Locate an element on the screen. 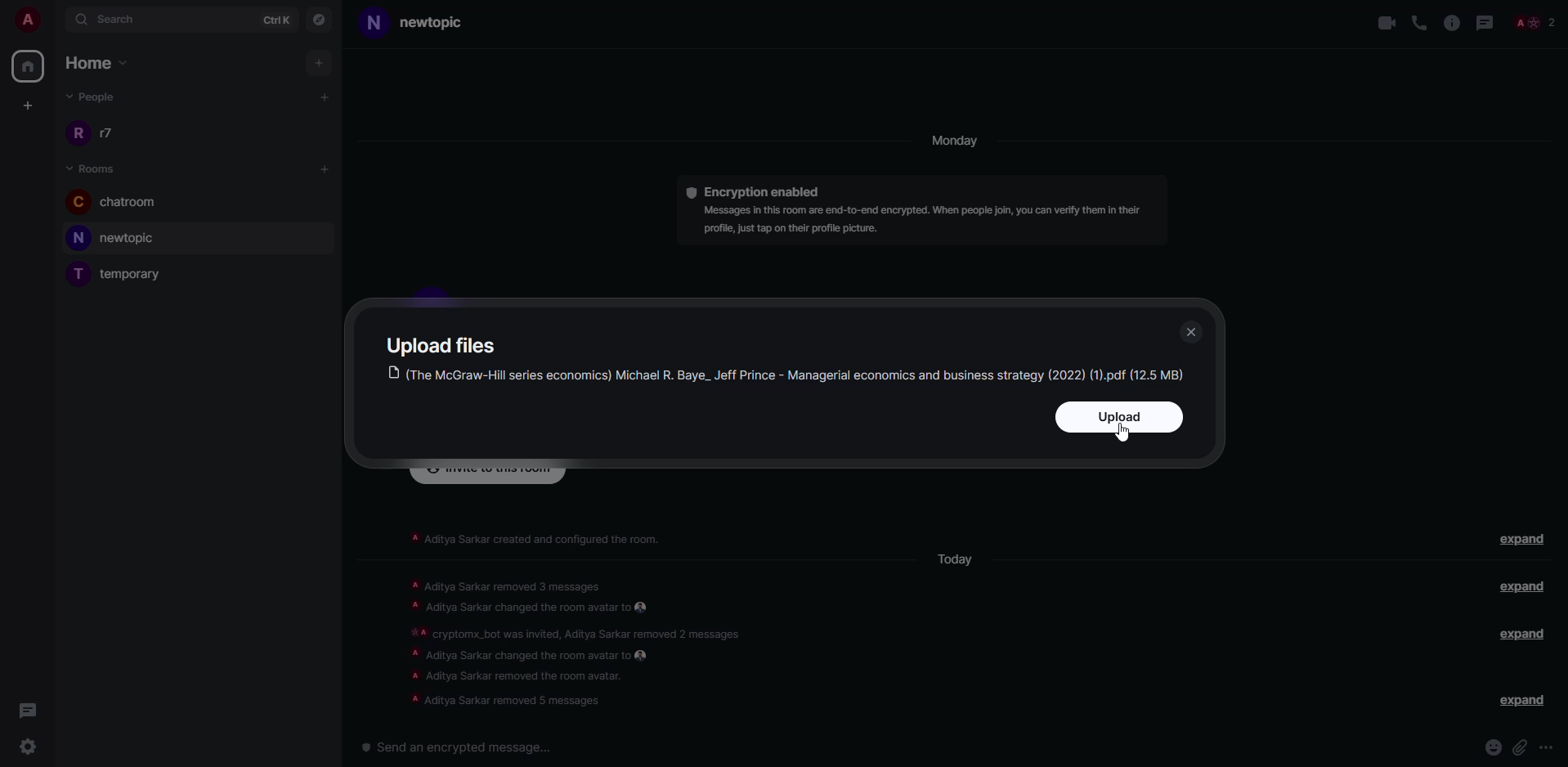 This screenshot has height=767, width=1568. video call is located at coordinates (1382, 23).